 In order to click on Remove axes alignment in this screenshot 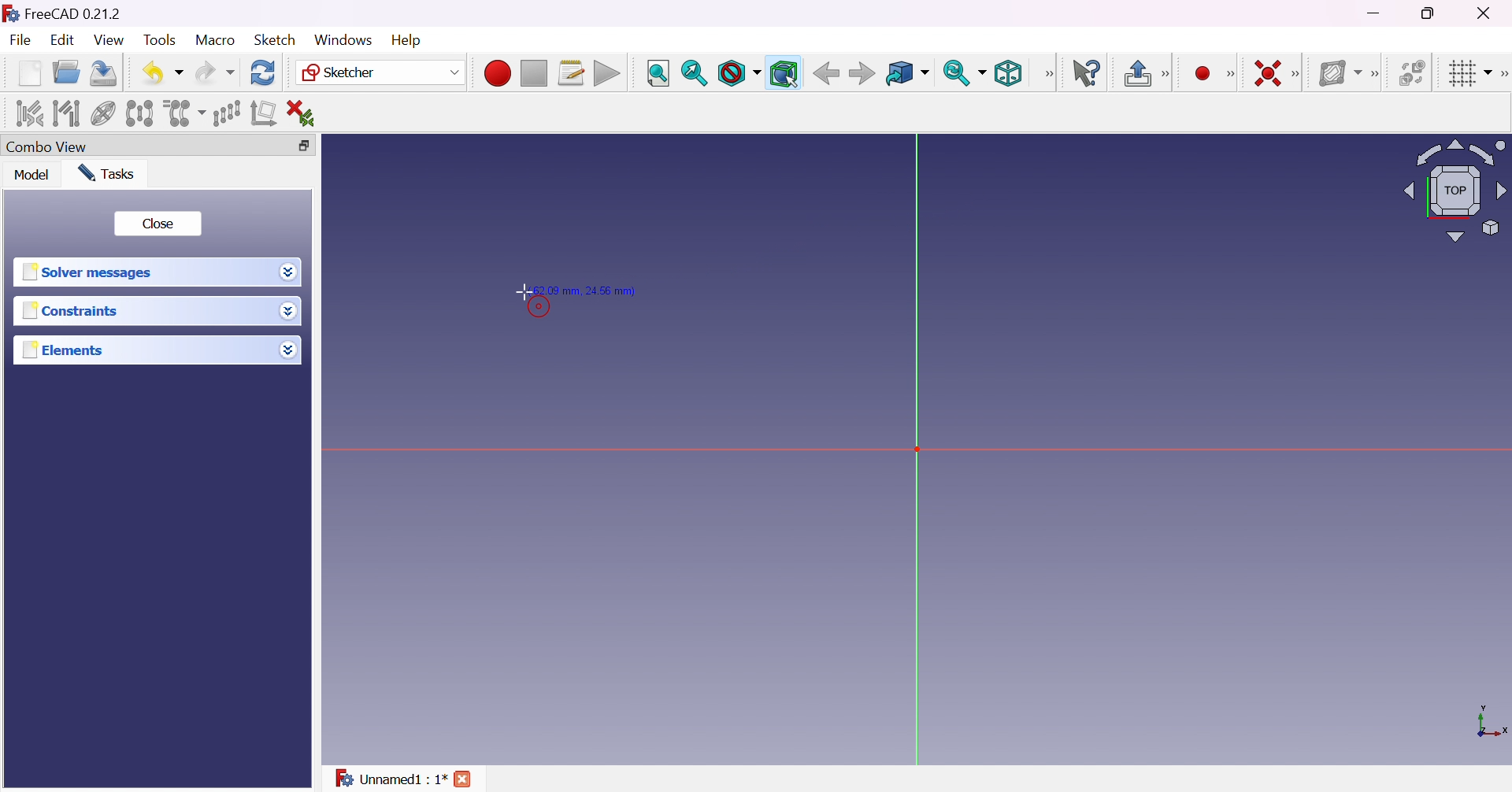, I will do `click(264, 114)`.